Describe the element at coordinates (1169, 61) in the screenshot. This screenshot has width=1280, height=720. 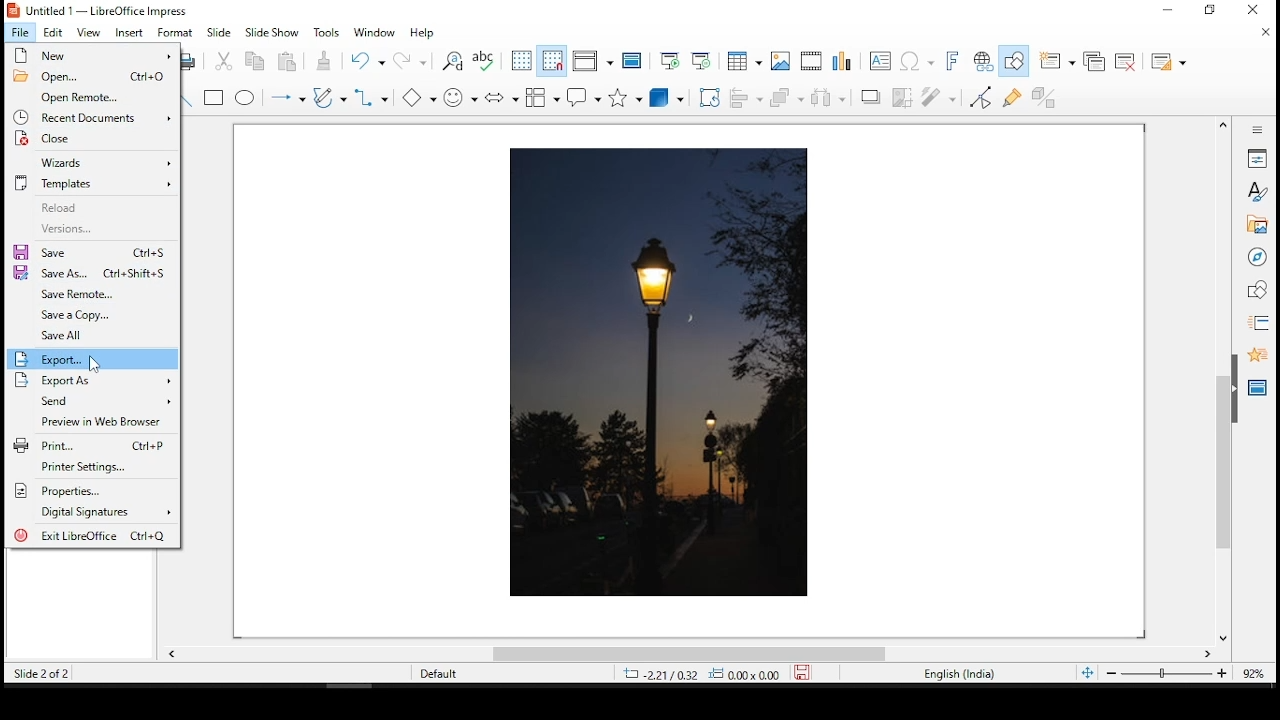
I see `slide layout` at that location.